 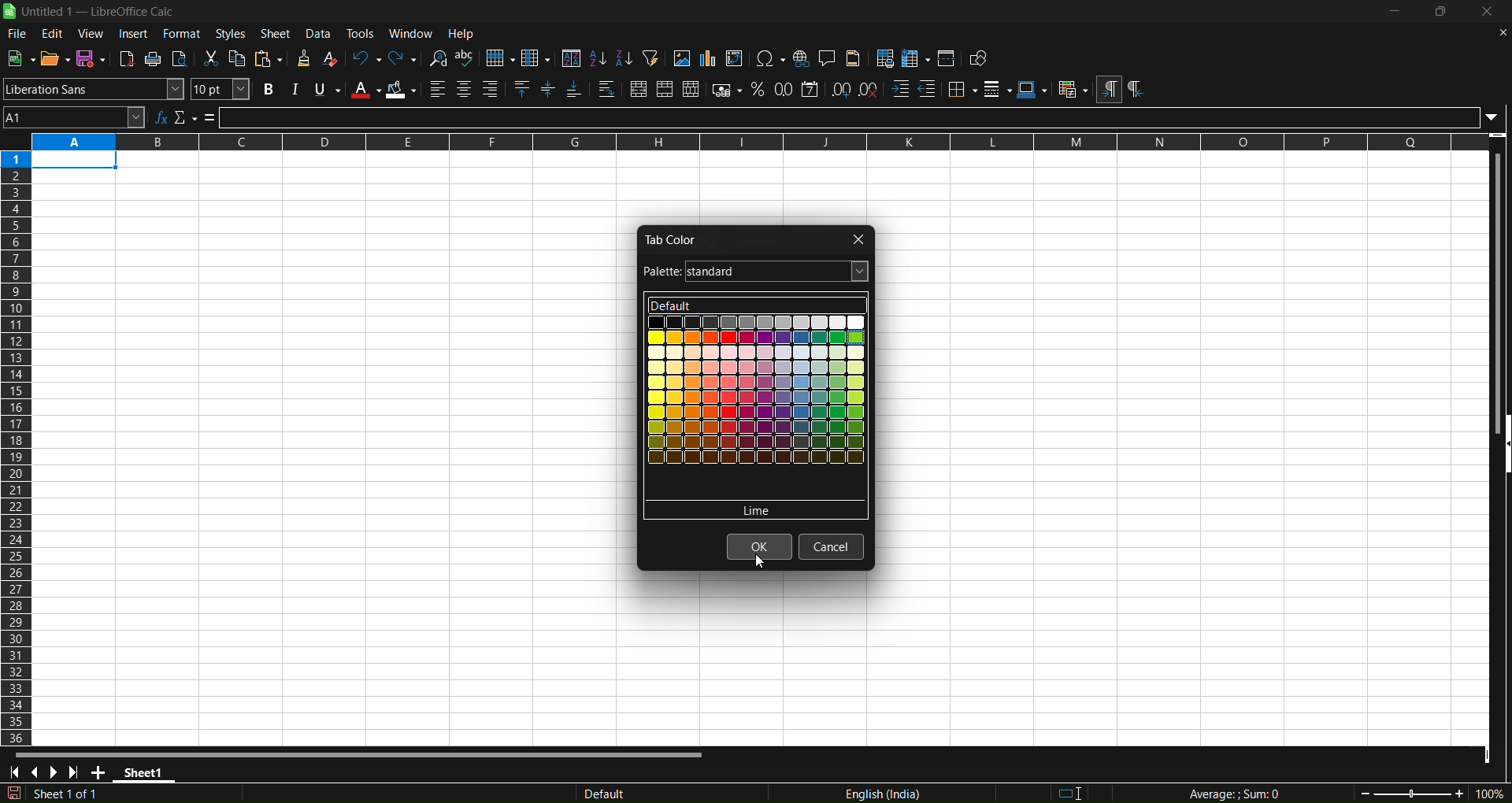 I want to click on underline, so click(x=327, y=90).